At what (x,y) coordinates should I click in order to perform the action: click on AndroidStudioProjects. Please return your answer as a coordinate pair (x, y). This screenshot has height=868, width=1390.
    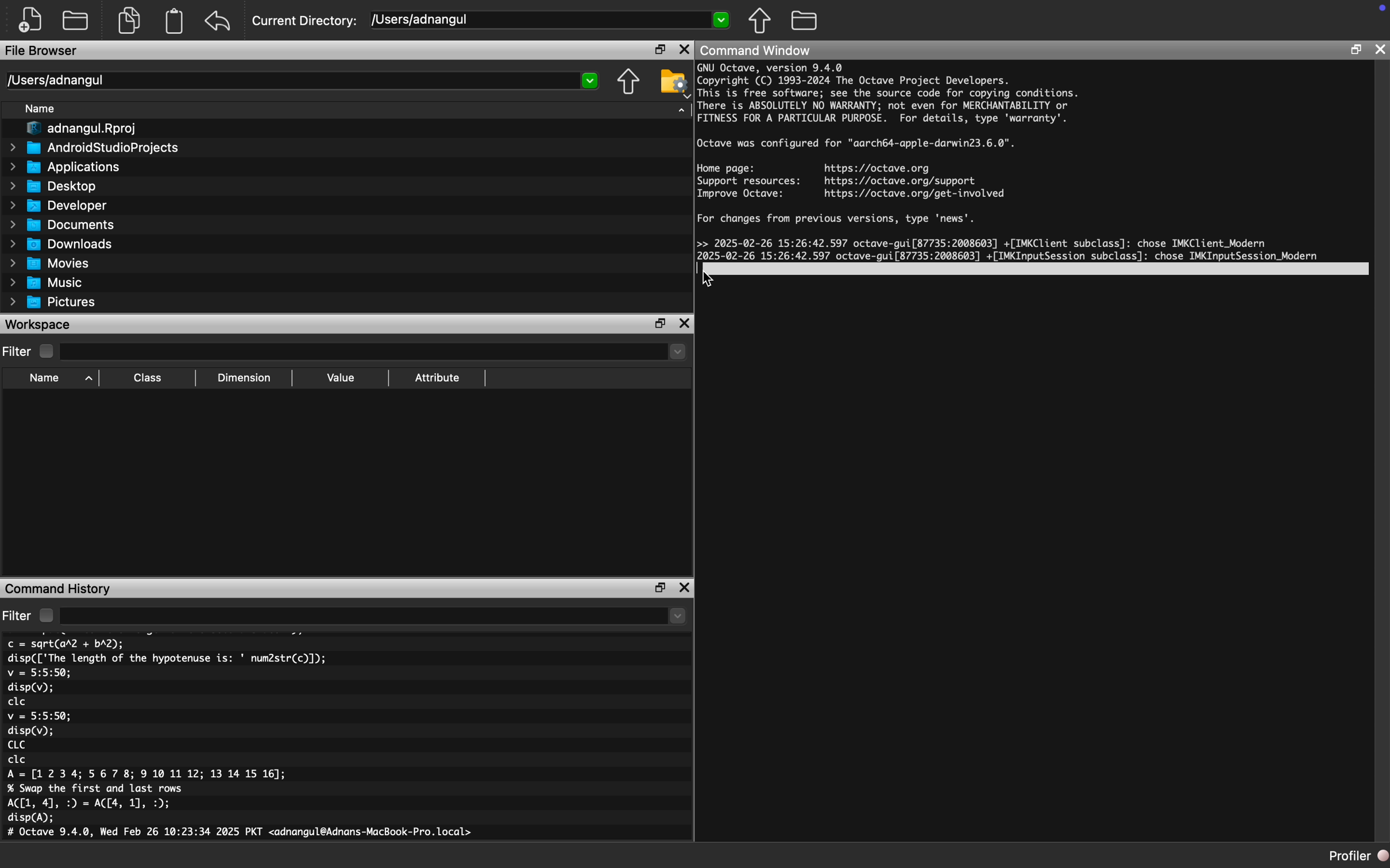
    Looking at the image, I should click on (94, 149).